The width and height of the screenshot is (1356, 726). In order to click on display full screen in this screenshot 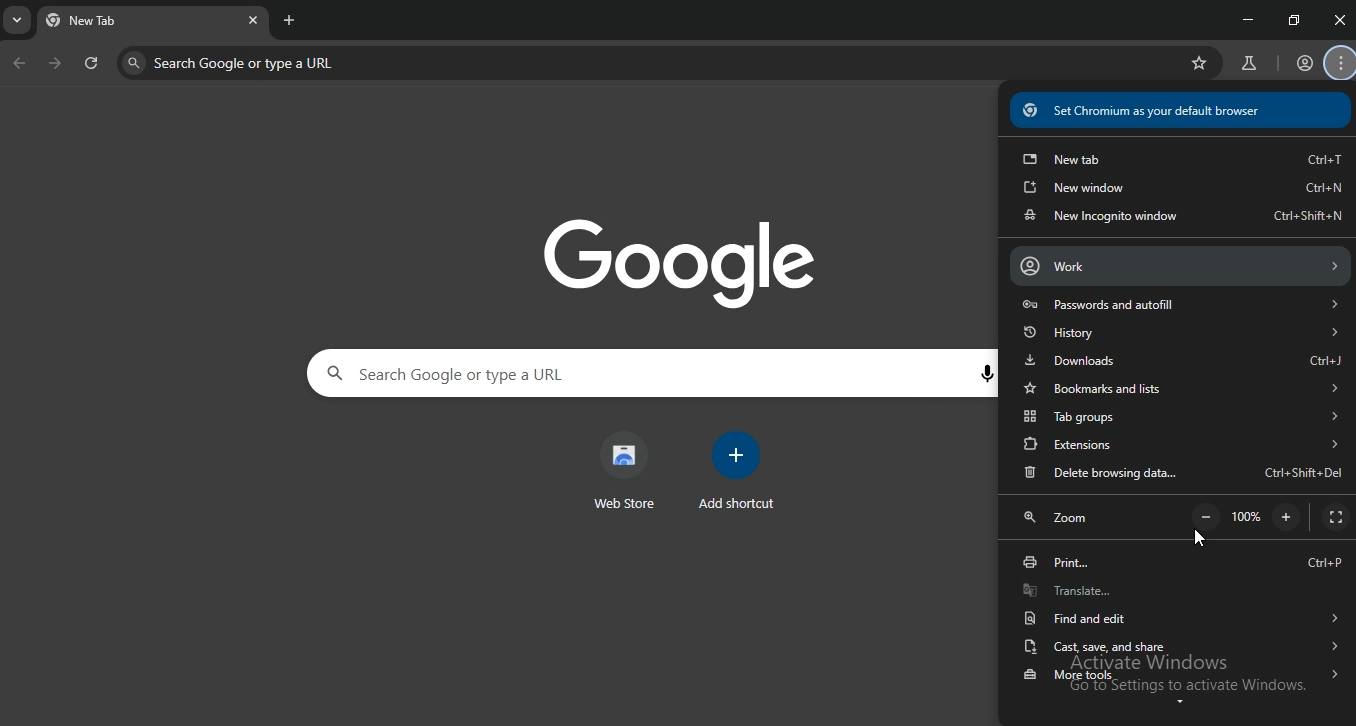, I will do `click(1336, 519)`.